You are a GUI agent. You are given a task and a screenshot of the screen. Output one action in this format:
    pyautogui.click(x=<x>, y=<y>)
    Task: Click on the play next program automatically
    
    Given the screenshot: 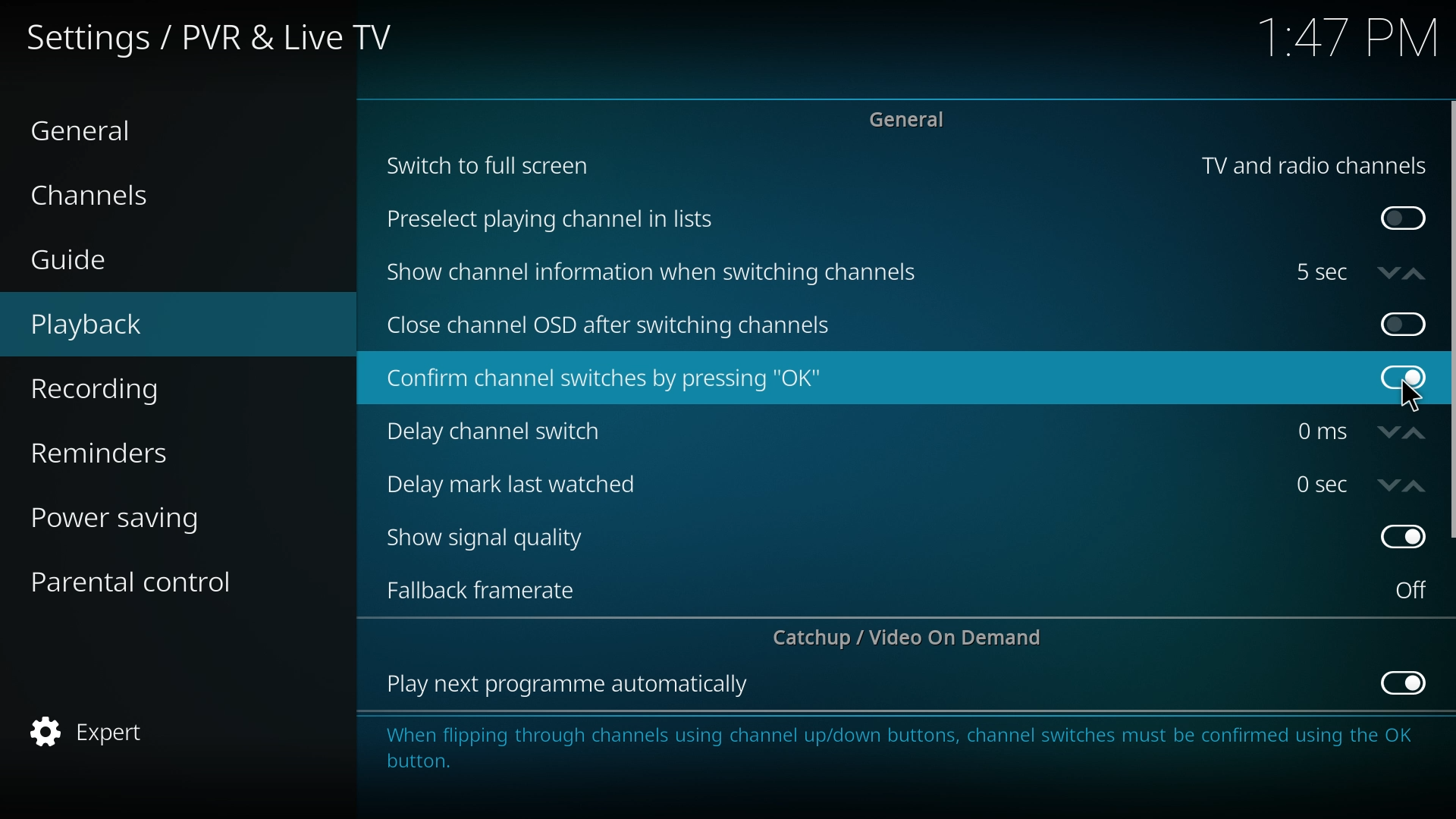 What is the action you would take?
    pyautogui.click(x=570, y=686)
    